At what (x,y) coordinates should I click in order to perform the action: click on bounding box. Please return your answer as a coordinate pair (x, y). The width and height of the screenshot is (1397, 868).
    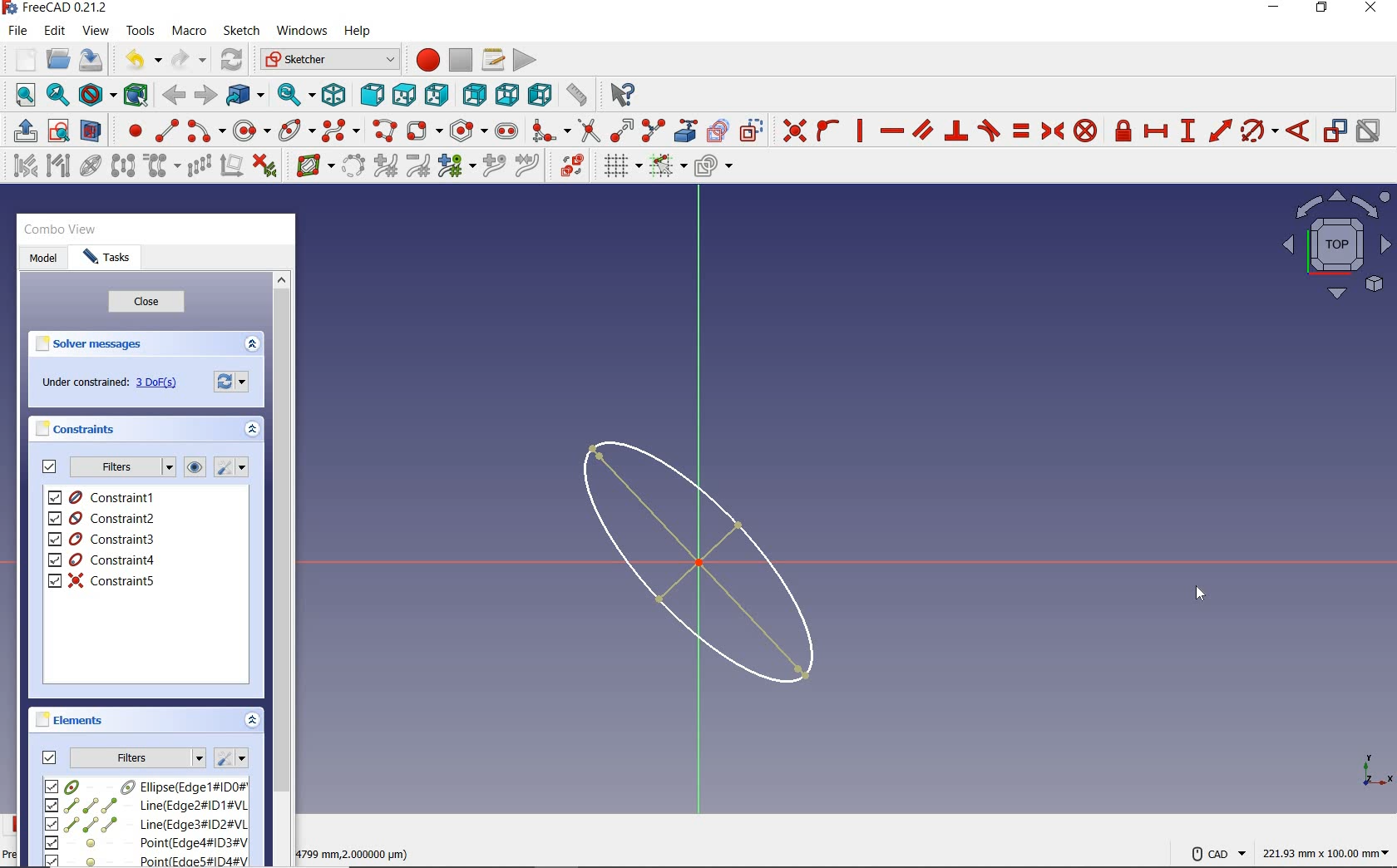
    Looking at the image, I should click on (136, 94).